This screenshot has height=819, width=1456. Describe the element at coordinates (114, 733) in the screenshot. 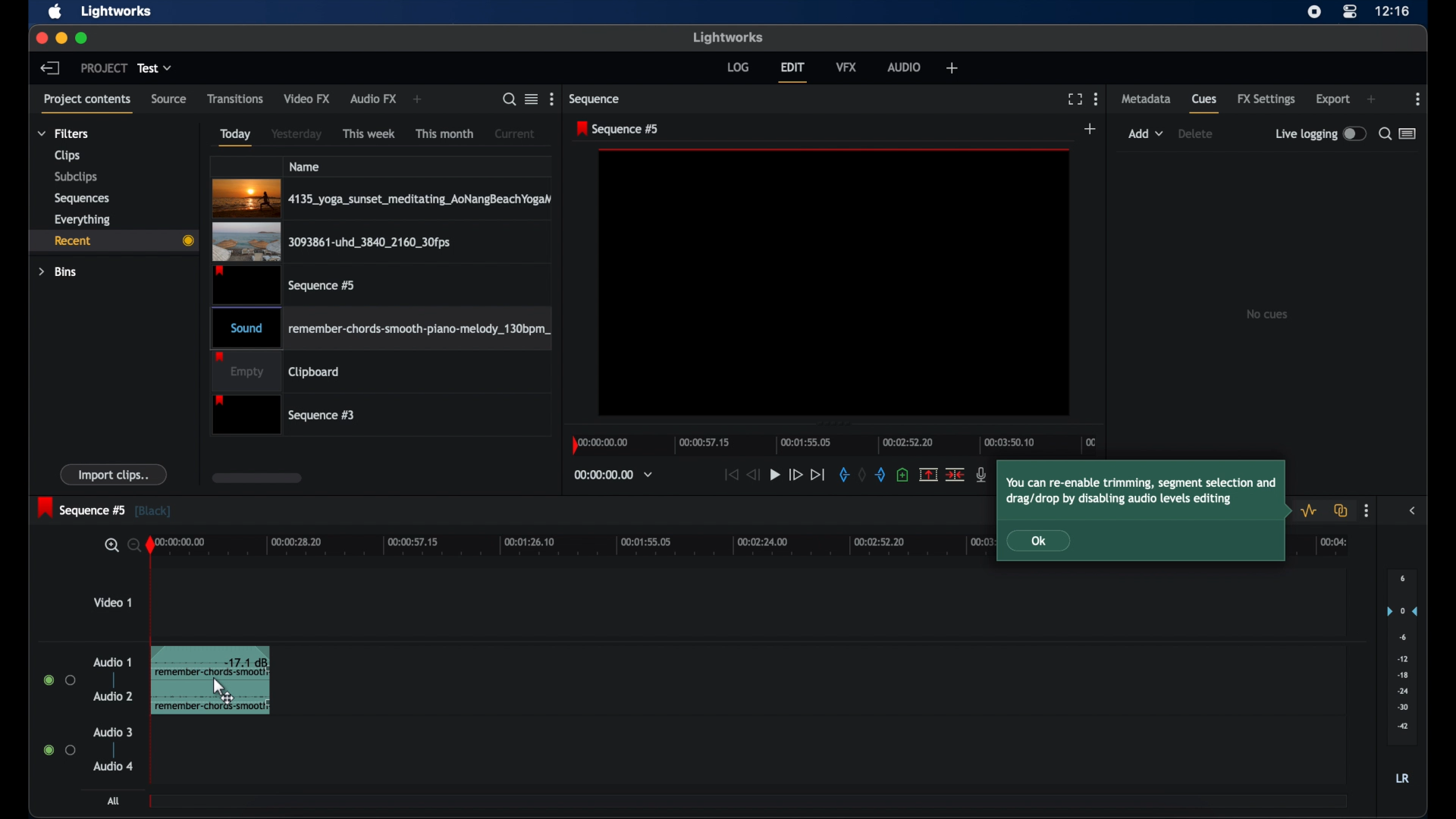

I see `audio 3` at that location.